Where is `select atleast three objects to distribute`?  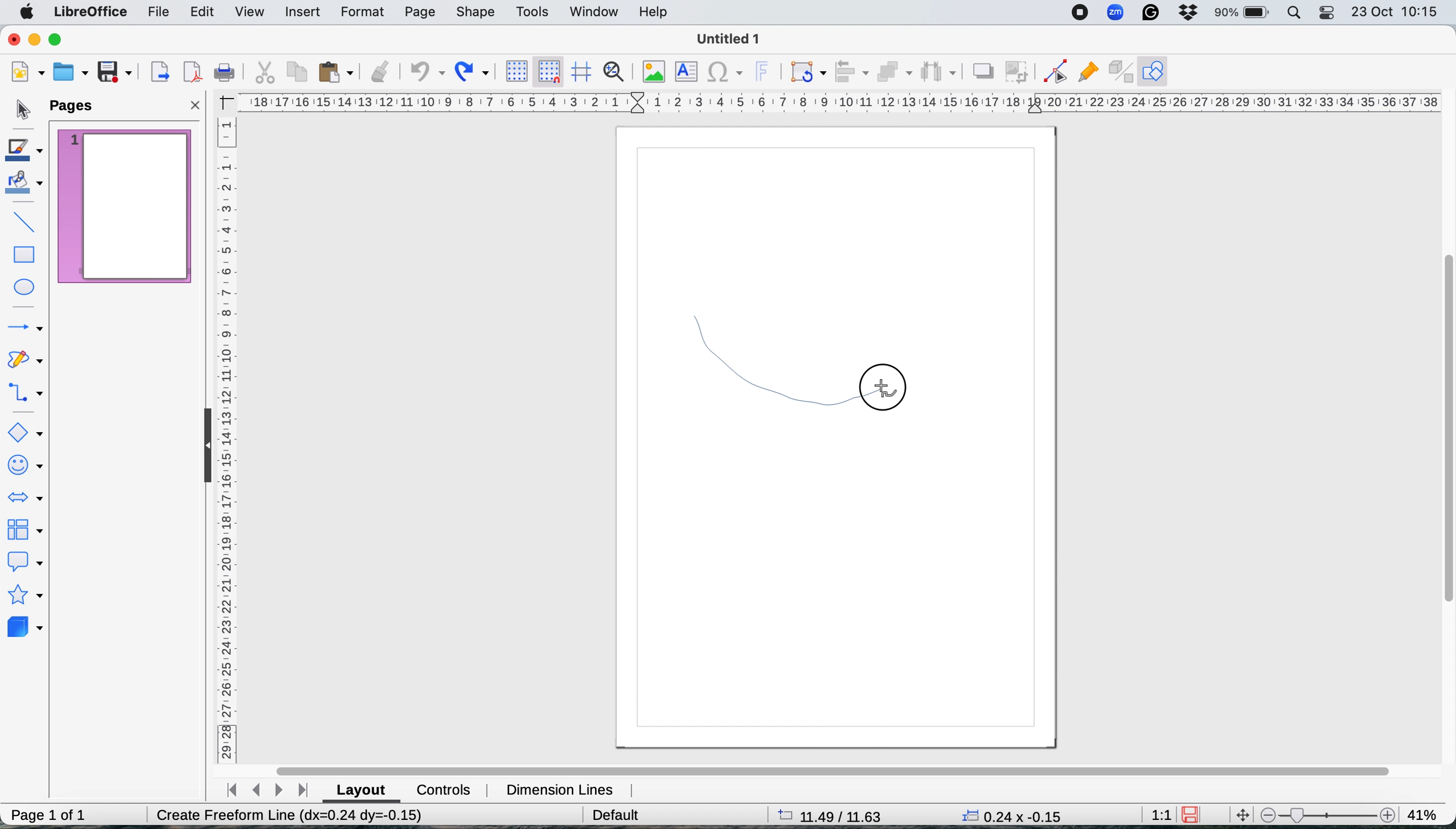 select atleast three objects to distribute is located at coordinates (938, 72).